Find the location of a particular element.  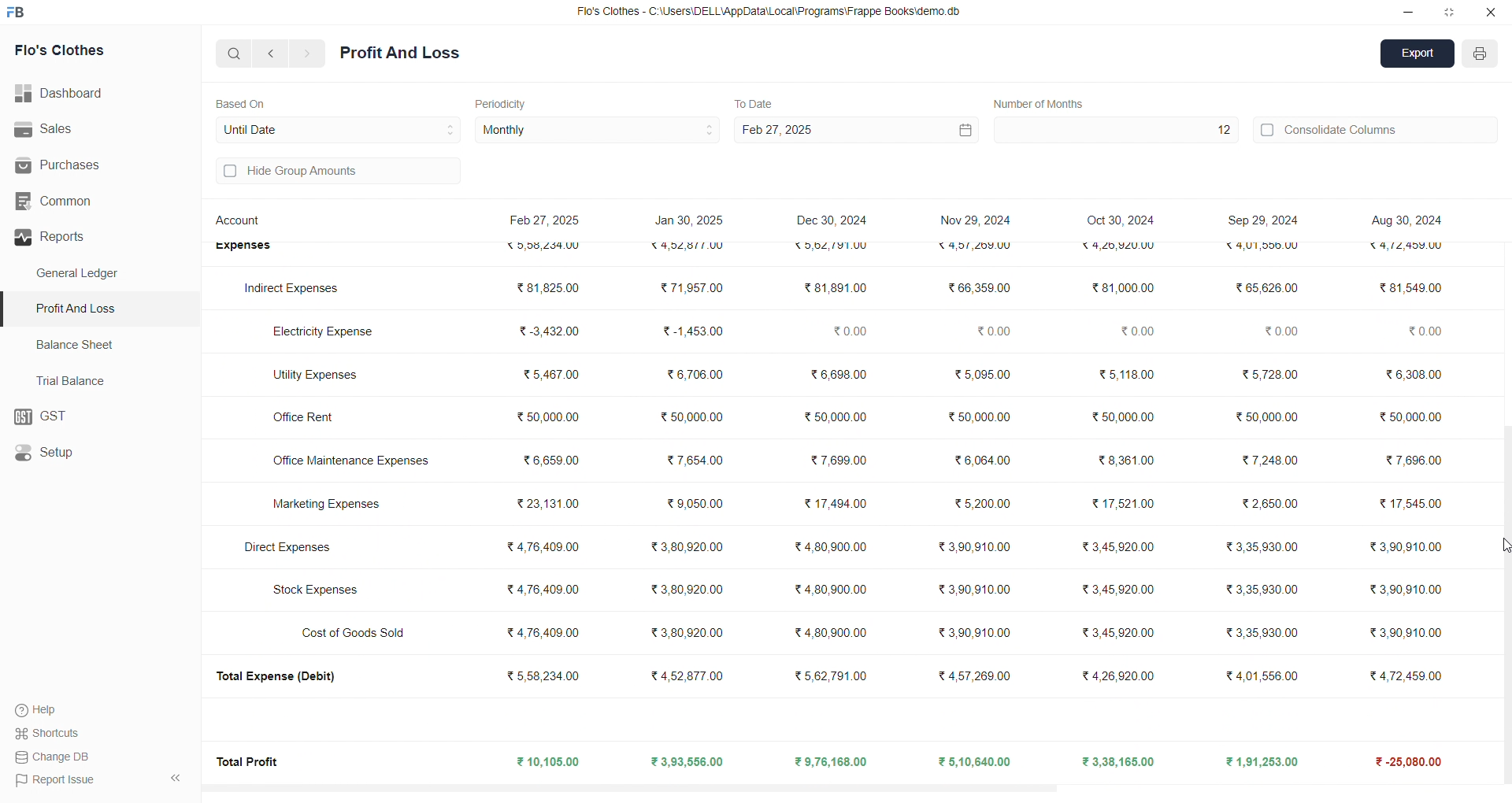

Dec 30, 2024 is located at coordinates (835, 222).